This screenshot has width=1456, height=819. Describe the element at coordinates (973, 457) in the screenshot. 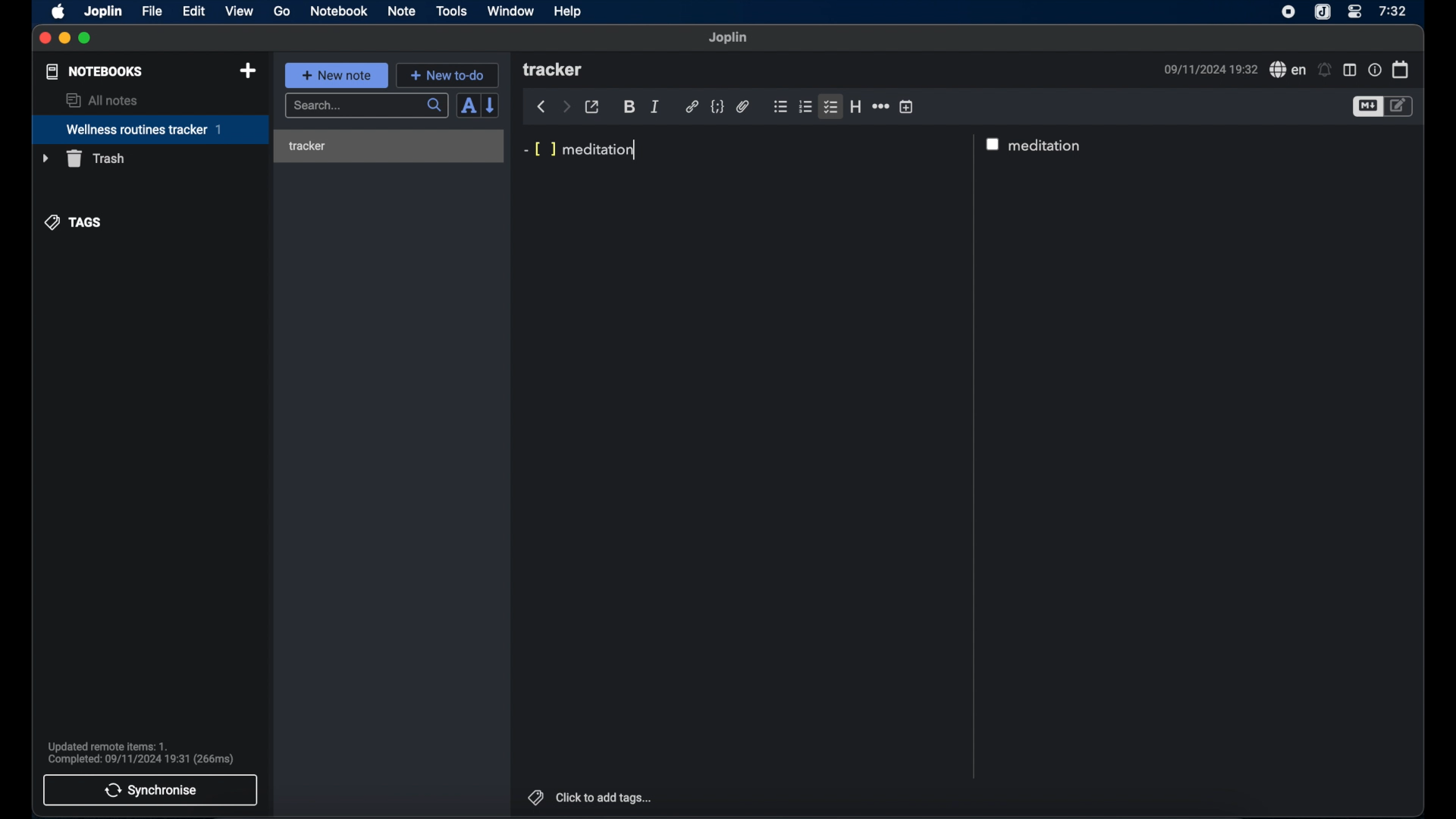

I see `Scroll bar` at that location.